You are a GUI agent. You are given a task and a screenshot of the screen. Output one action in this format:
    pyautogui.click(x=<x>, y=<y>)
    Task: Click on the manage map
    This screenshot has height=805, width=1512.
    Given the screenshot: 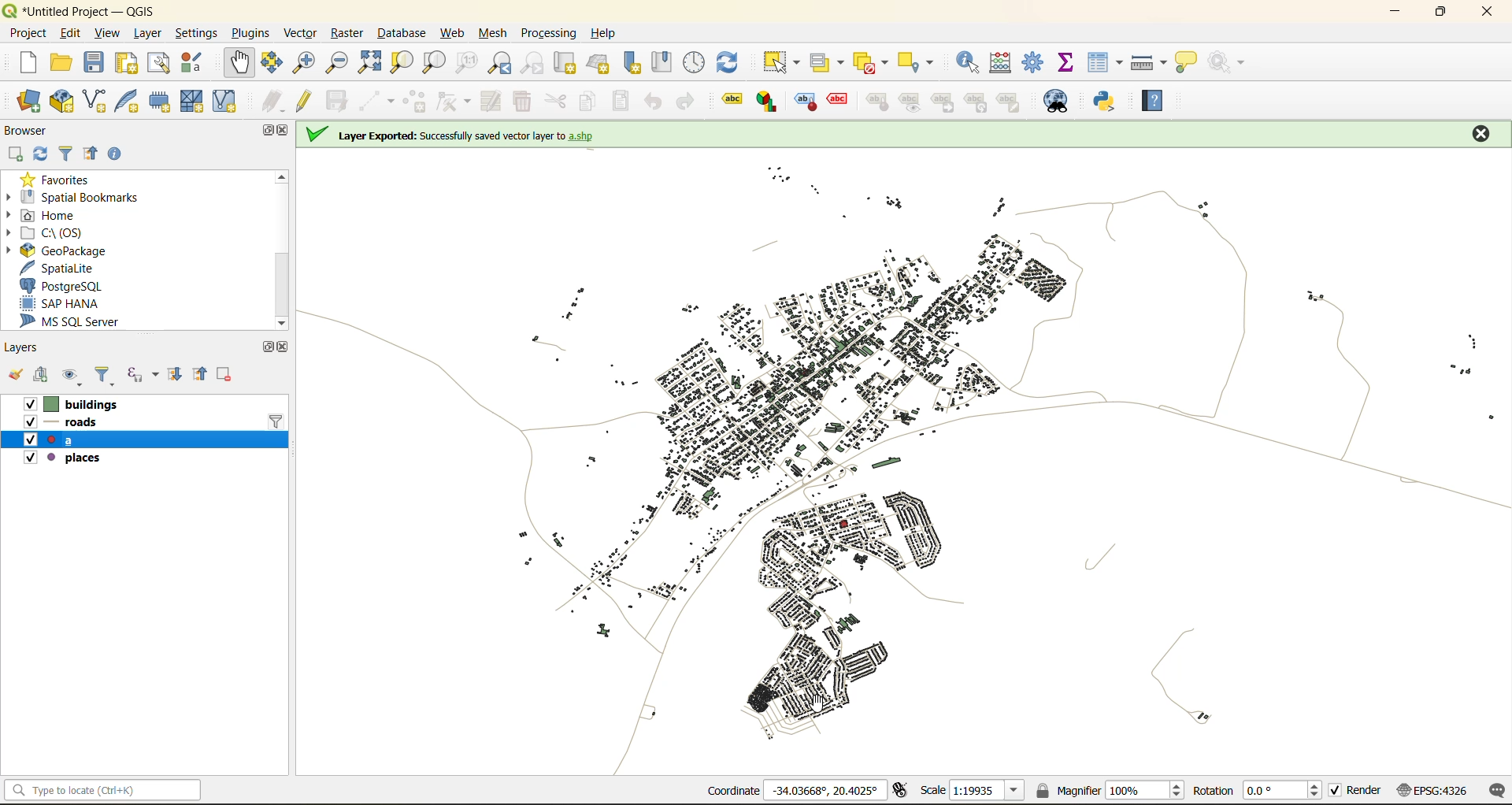 What is the action you would take?
    pyautogui.click(x=70, y=375)
    